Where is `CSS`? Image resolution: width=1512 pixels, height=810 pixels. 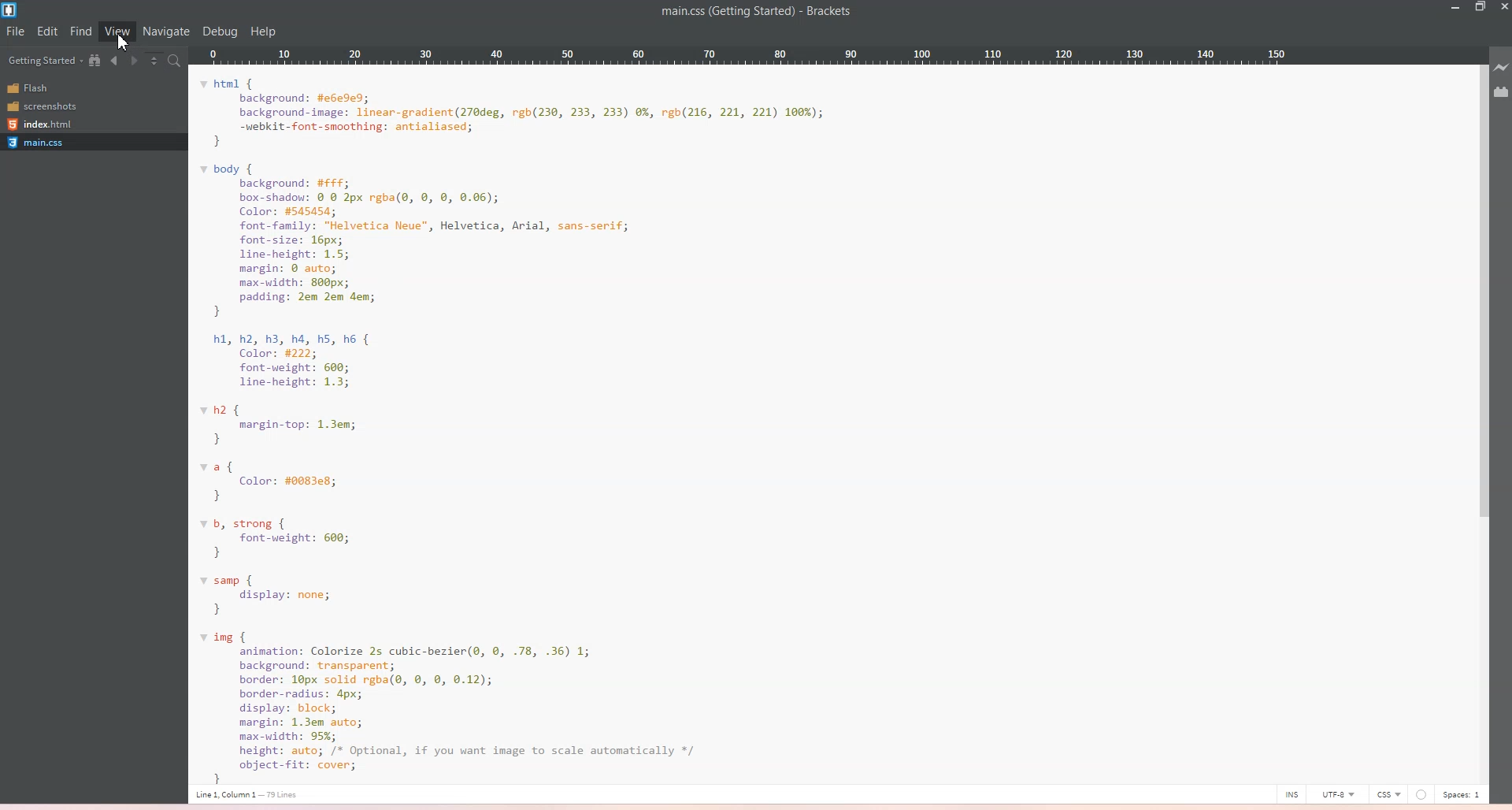
CSS is located at coordinates (1390, 795).